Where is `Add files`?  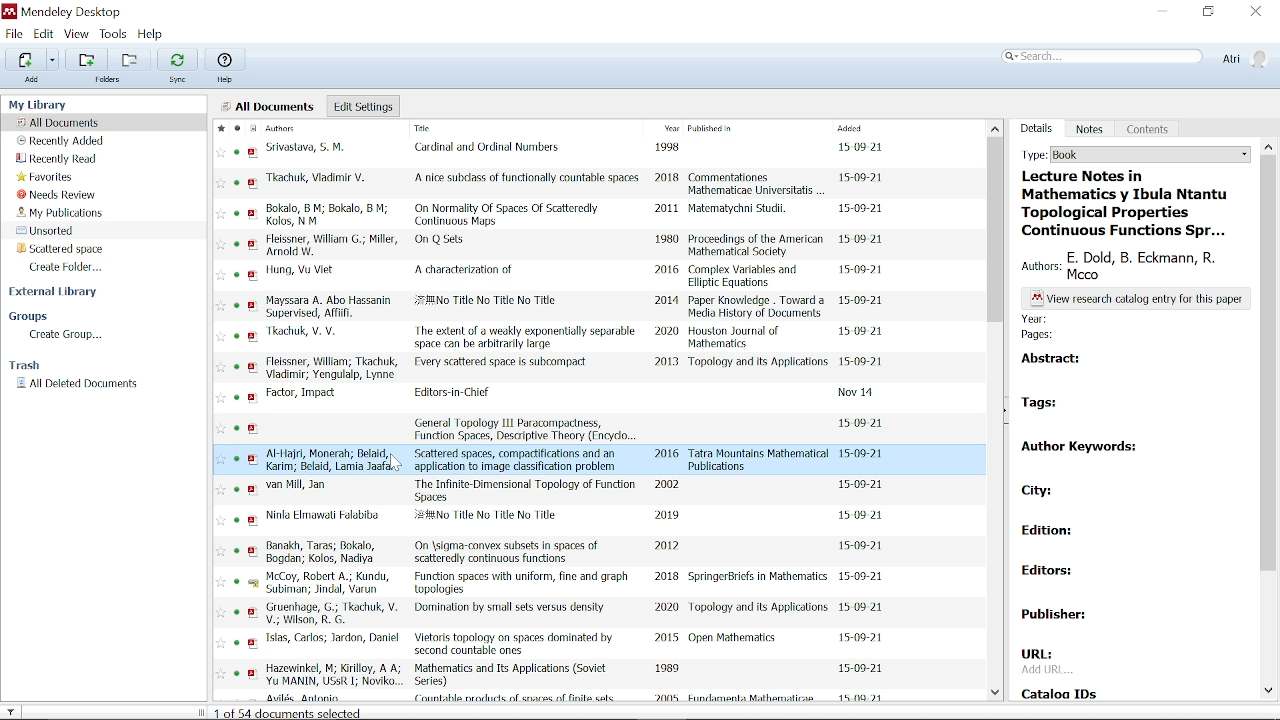
Add files is located at coordinates (25, 59).